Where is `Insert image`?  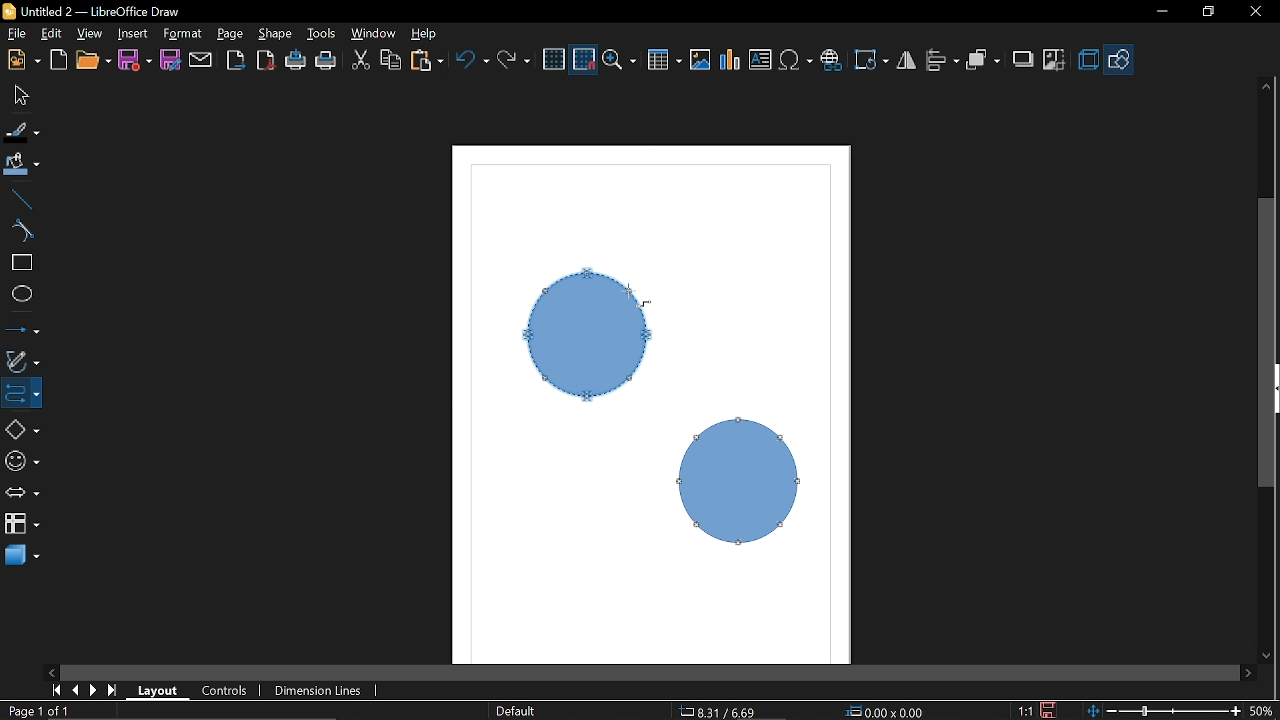
Insert image is located at coordinates (700, 60).